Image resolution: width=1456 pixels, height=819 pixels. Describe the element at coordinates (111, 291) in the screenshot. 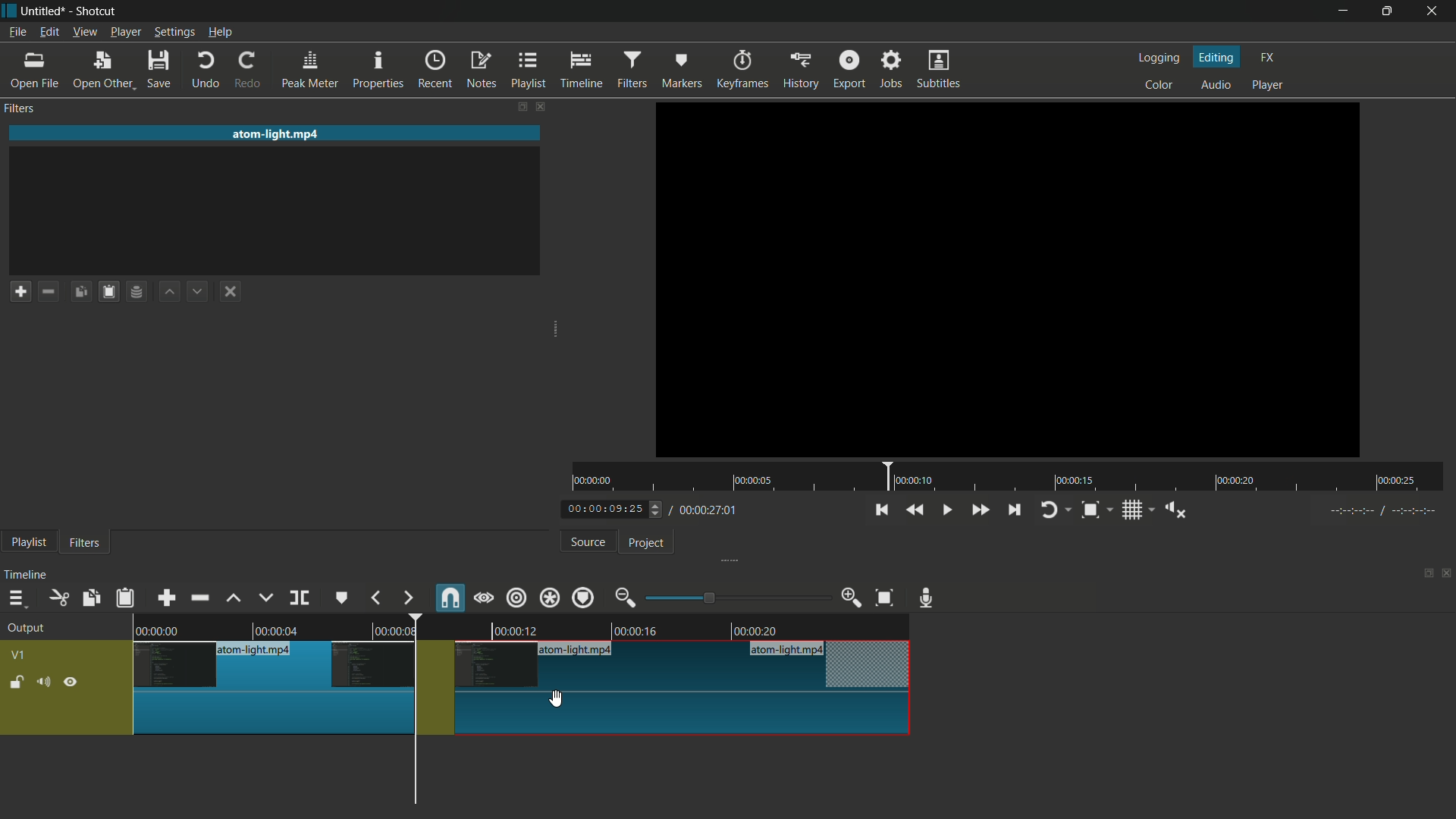

I see `paste filters` at that location.